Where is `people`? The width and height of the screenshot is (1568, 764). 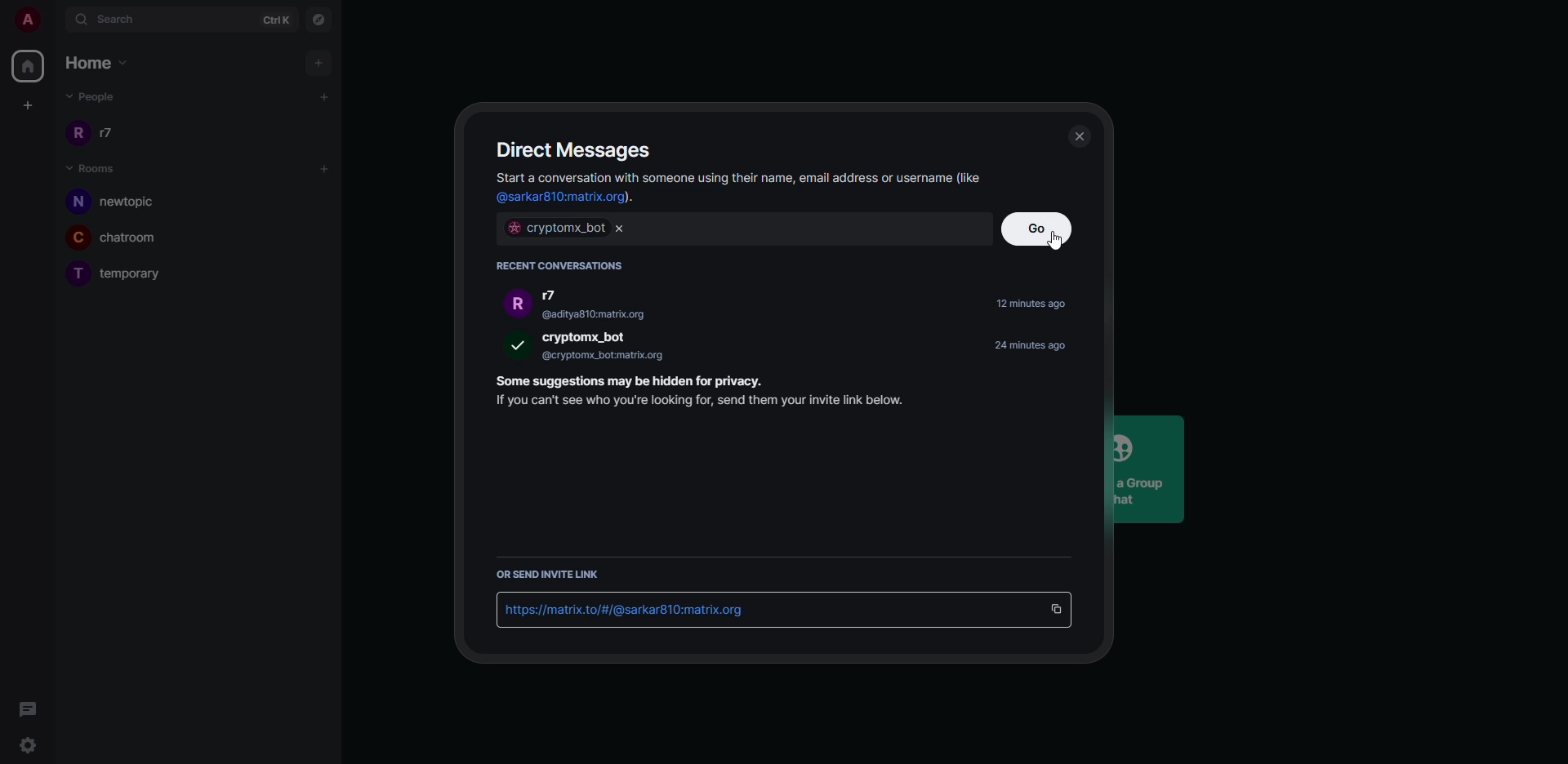
people is located at coordinates (95, 98).